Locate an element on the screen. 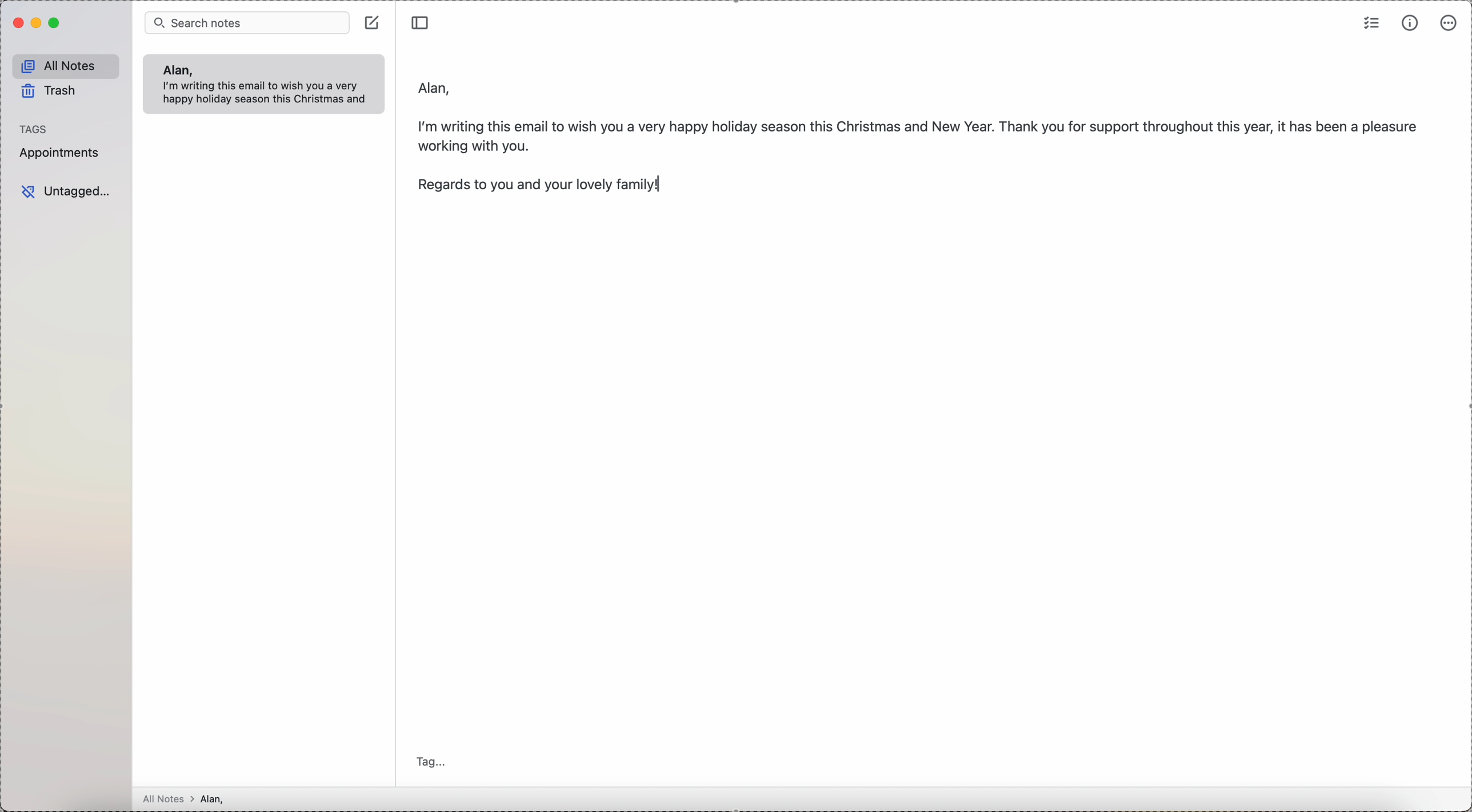  body text: I'm writing this email to wish you a very happy holiday season this Christmas and is located at coordinates (269, 94).